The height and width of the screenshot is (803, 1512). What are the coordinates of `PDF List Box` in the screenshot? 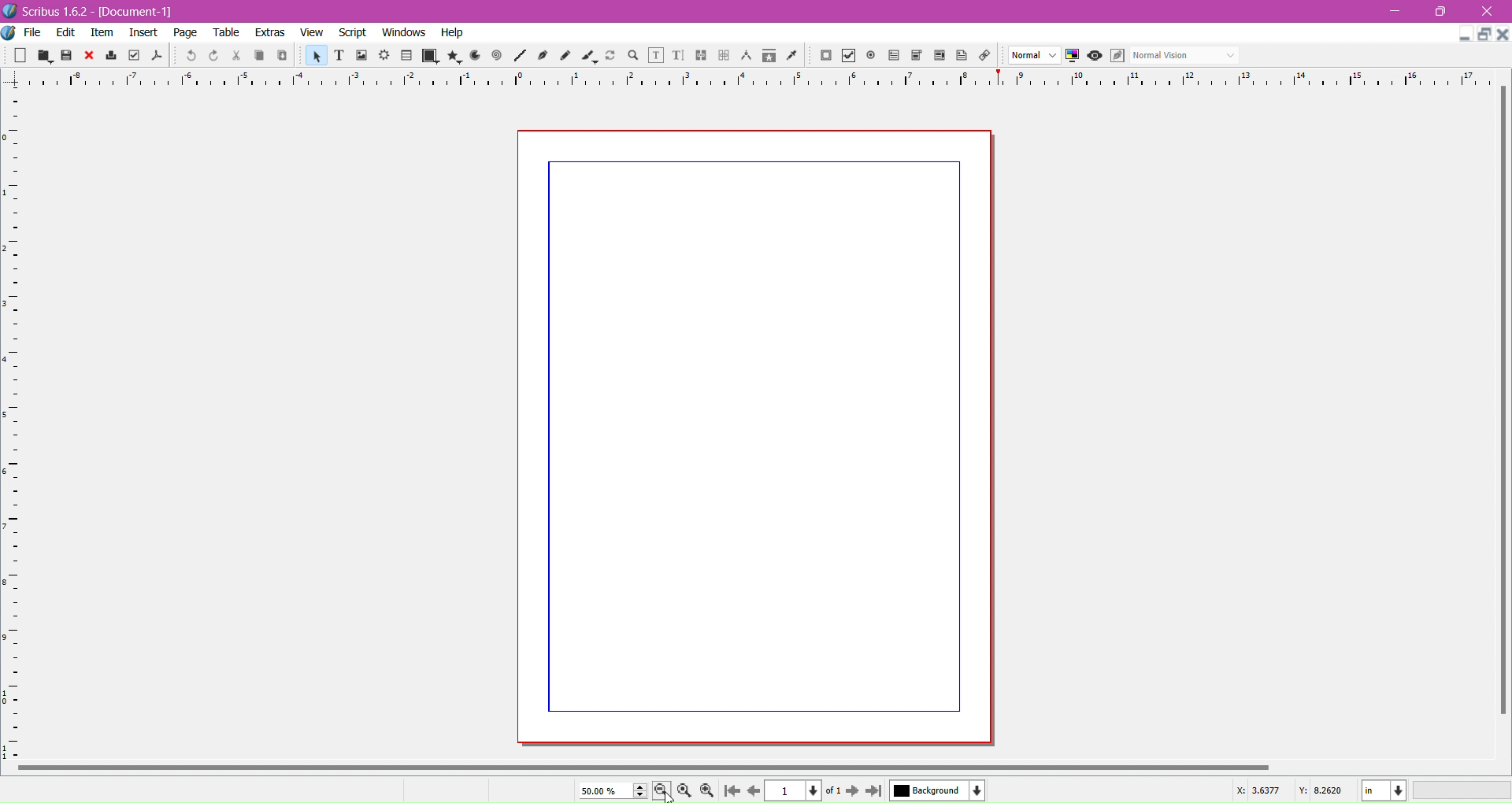 It's located at (940, 56).